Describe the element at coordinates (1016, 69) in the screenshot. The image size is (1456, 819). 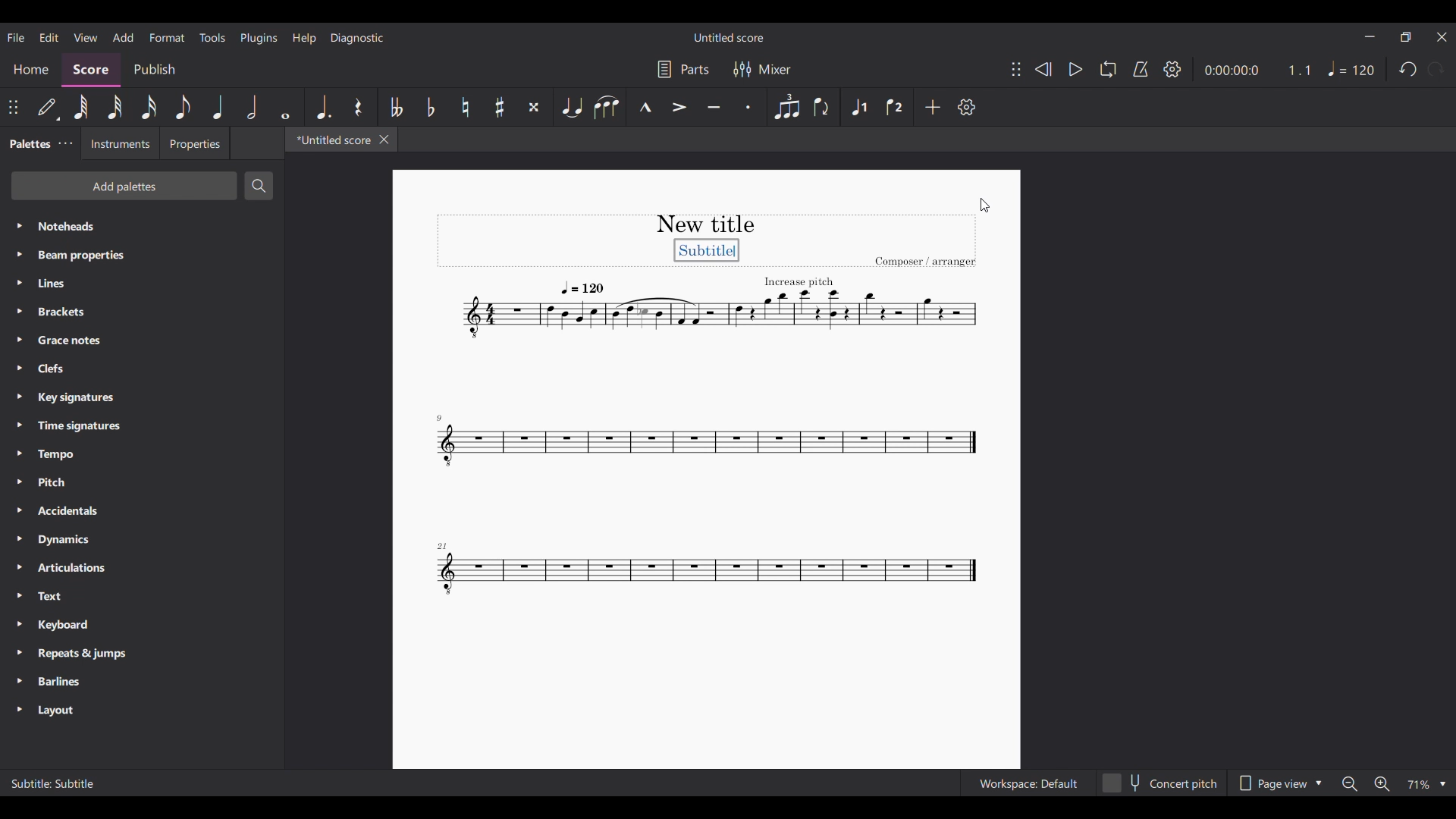
I see `Change position` at that location.